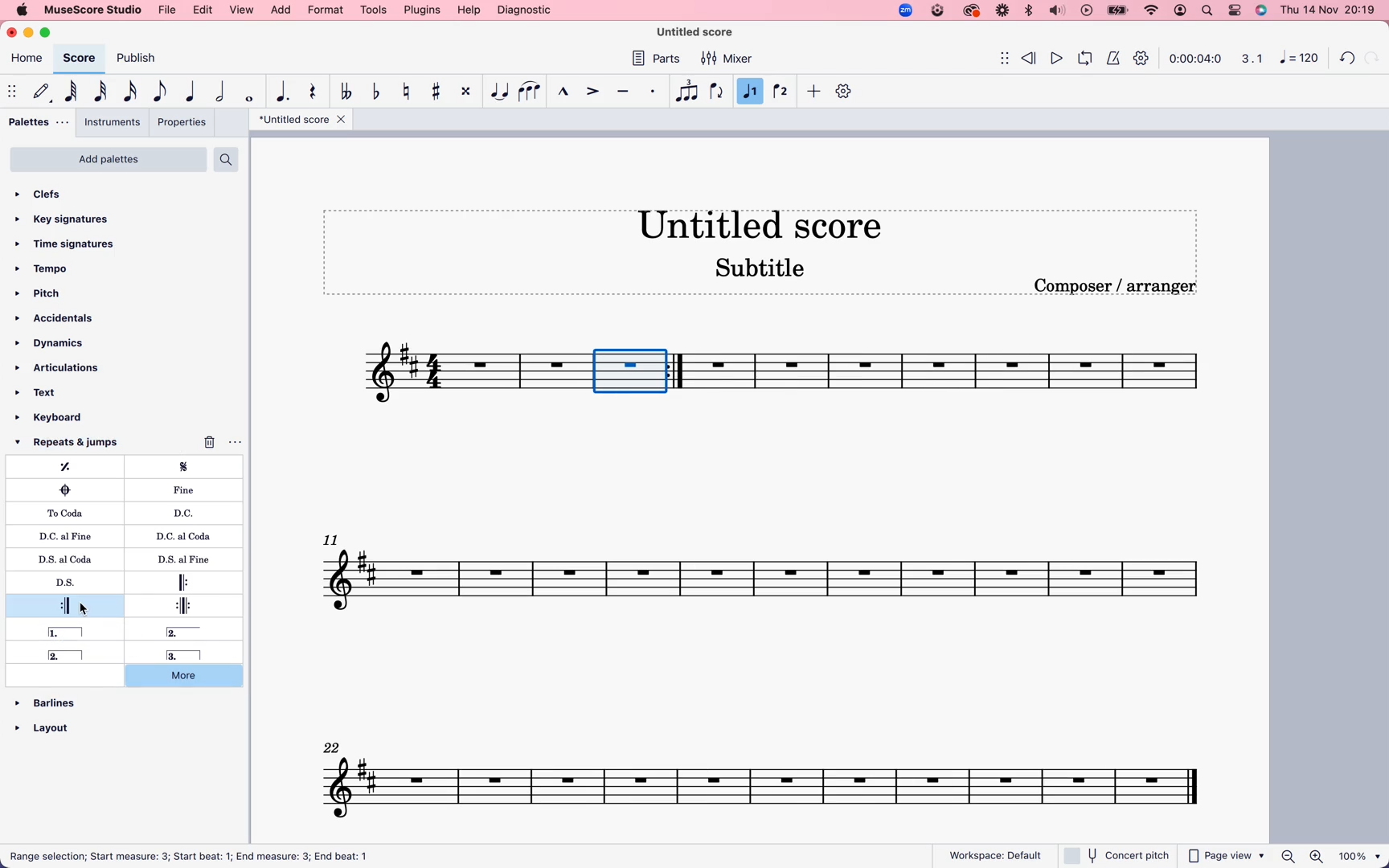 This screenshot has height=868, width=1389. What do you see at coordinates (314, 93) in the screenshot?
I see `rest` at bounding box center [314, 93].